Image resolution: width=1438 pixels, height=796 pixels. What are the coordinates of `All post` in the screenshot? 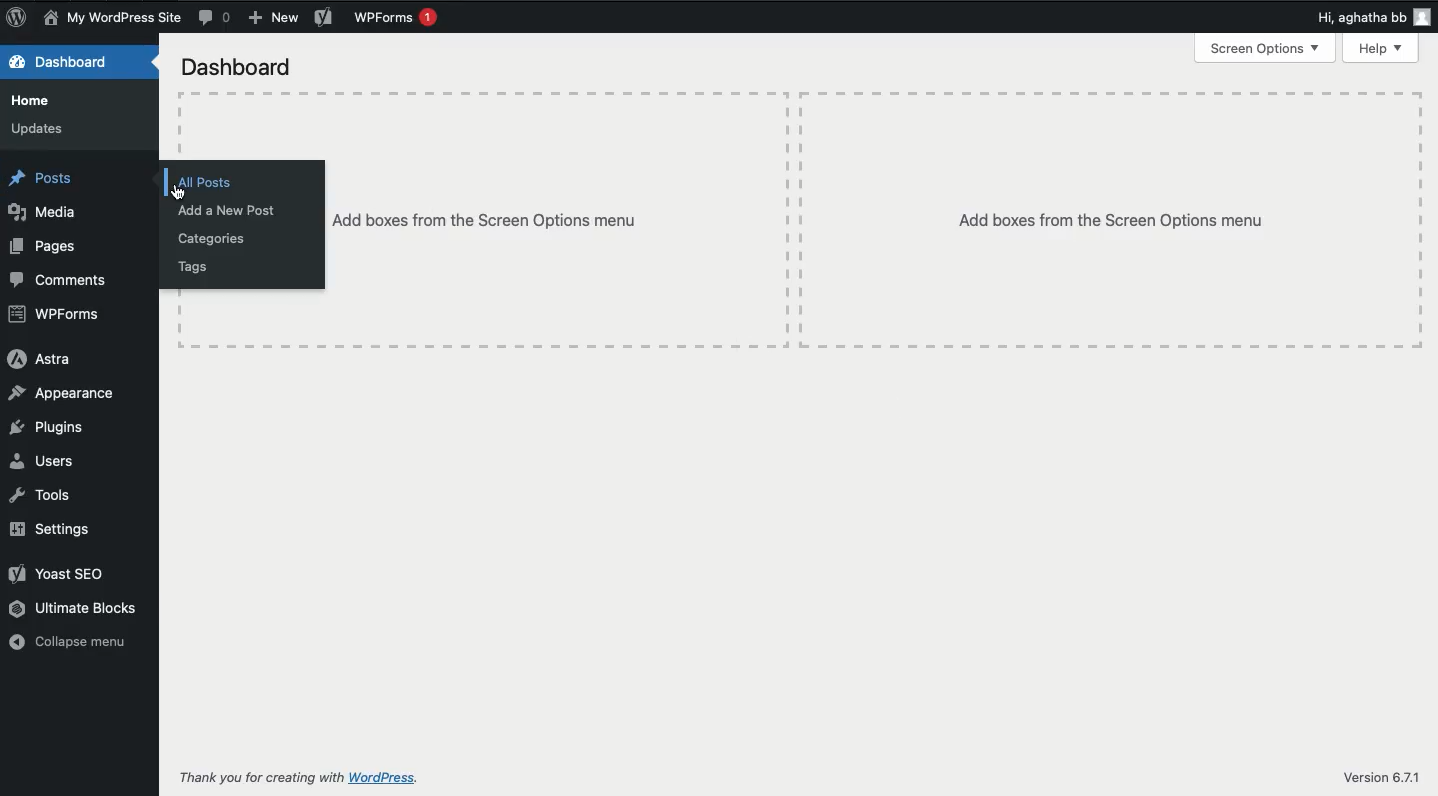 It's located at (210, 181).